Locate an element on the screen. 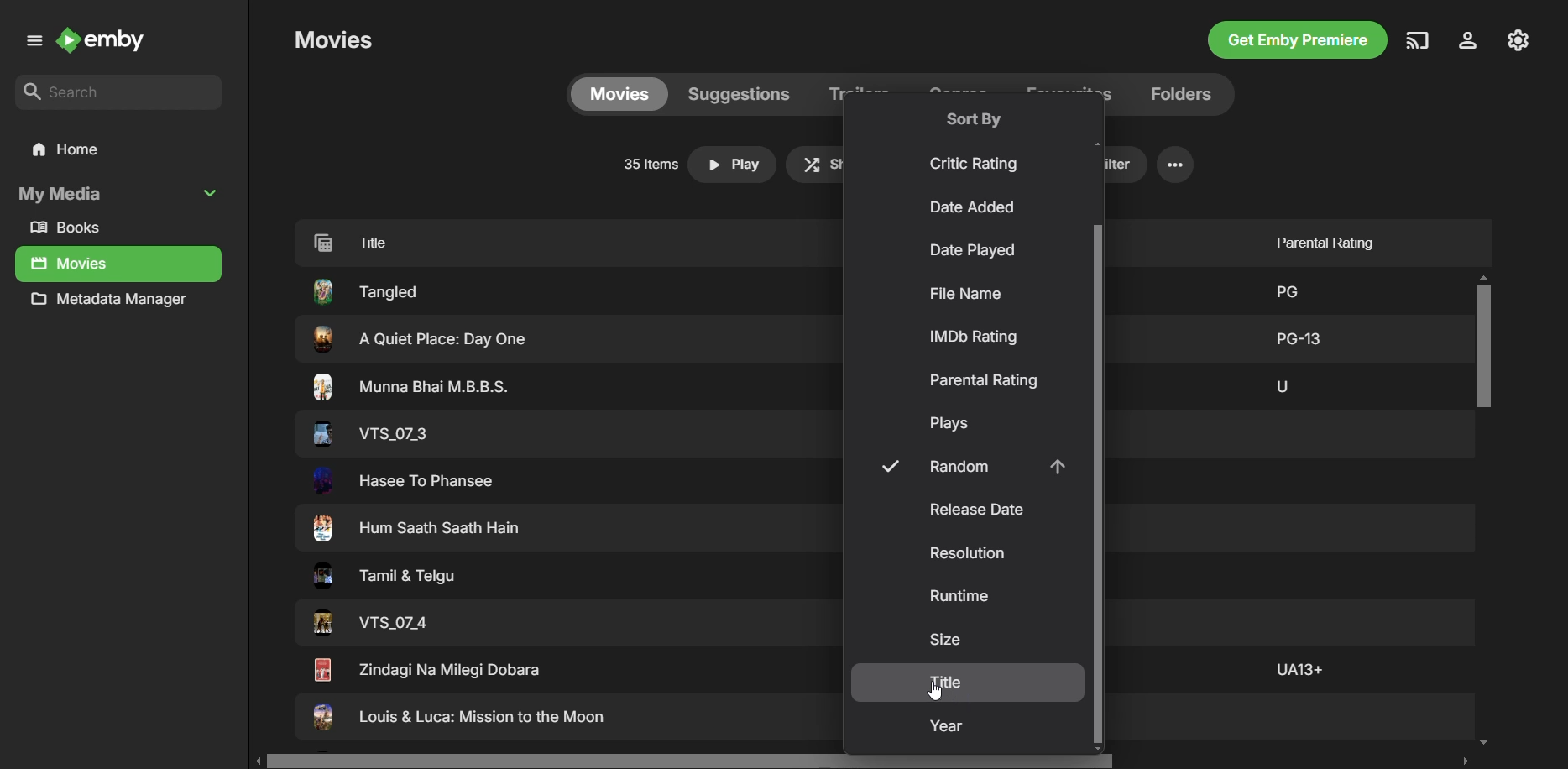 This screenshot has width=1568, height=769. Movies is located at coordinates (71, 264).